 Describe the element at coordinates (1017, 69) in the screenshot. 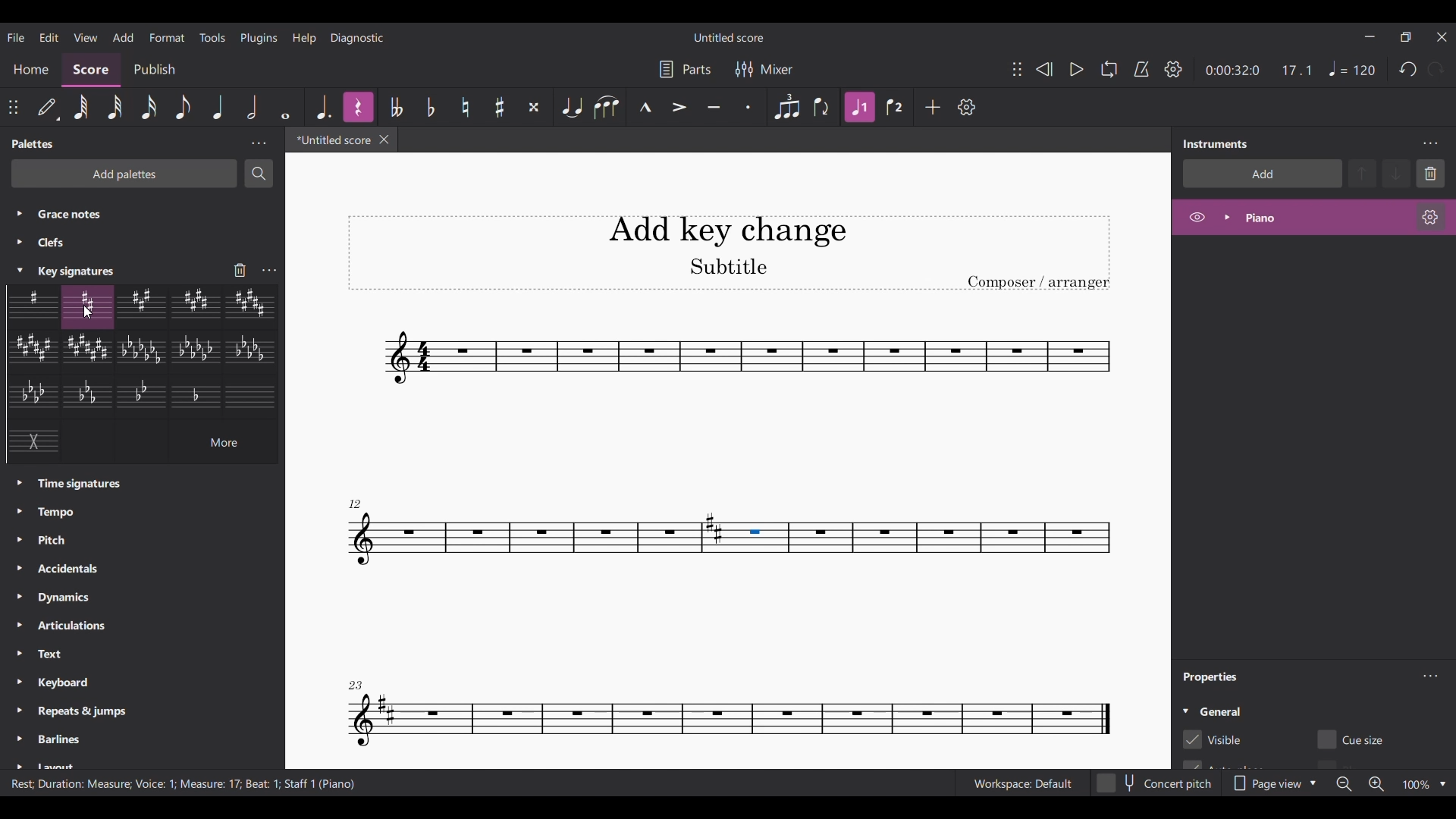

I see `Change position of toolbar attached` at that location.